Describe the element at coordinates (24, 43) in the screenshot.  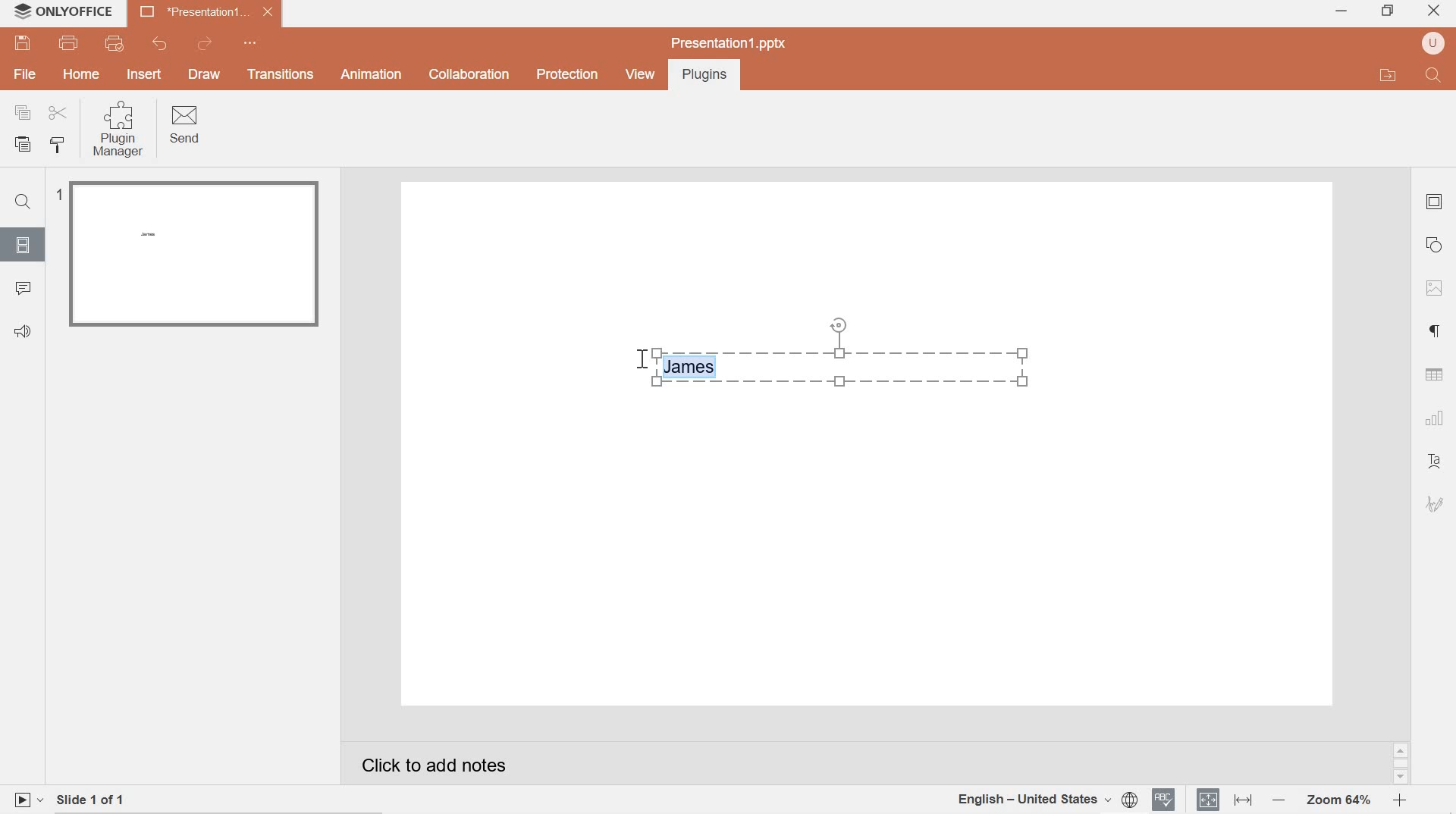
I see `save` at that location.